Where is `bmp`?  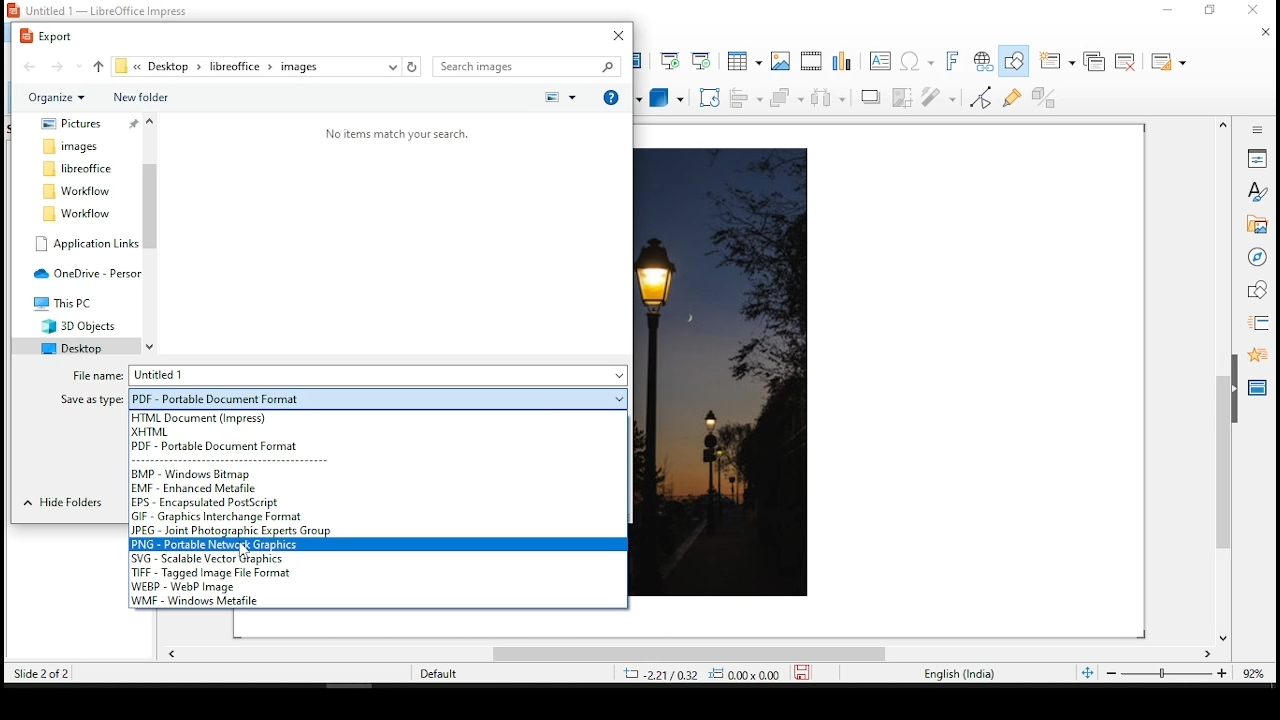 bmp is located at coordinates (193, 473).